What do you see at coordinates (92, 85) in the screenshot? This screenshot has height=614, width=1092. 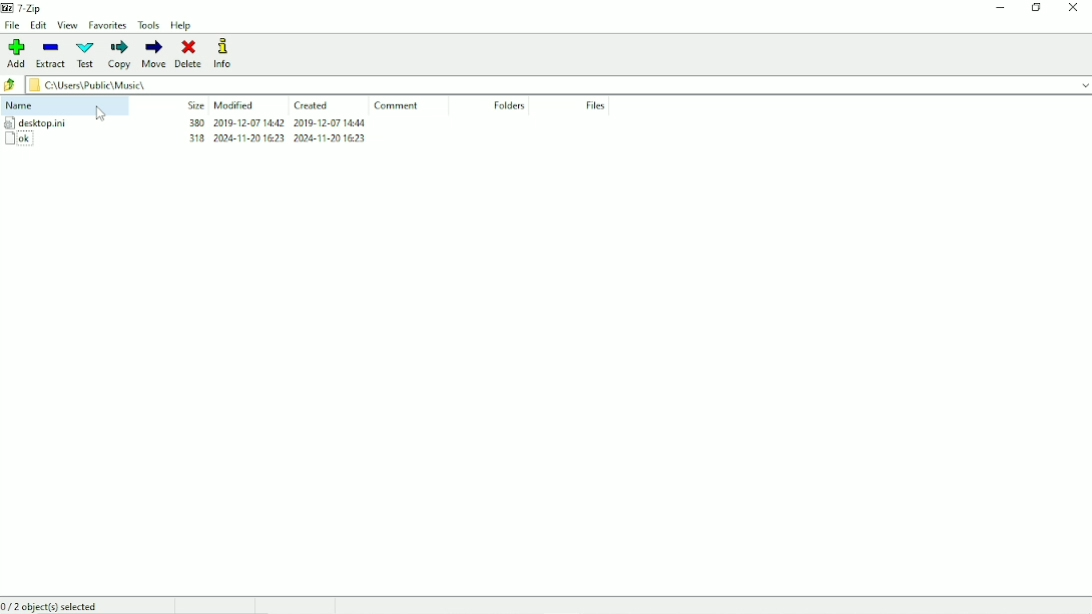 I see `C:\Users\Public\Music\.` at bounding box center [92, 85].